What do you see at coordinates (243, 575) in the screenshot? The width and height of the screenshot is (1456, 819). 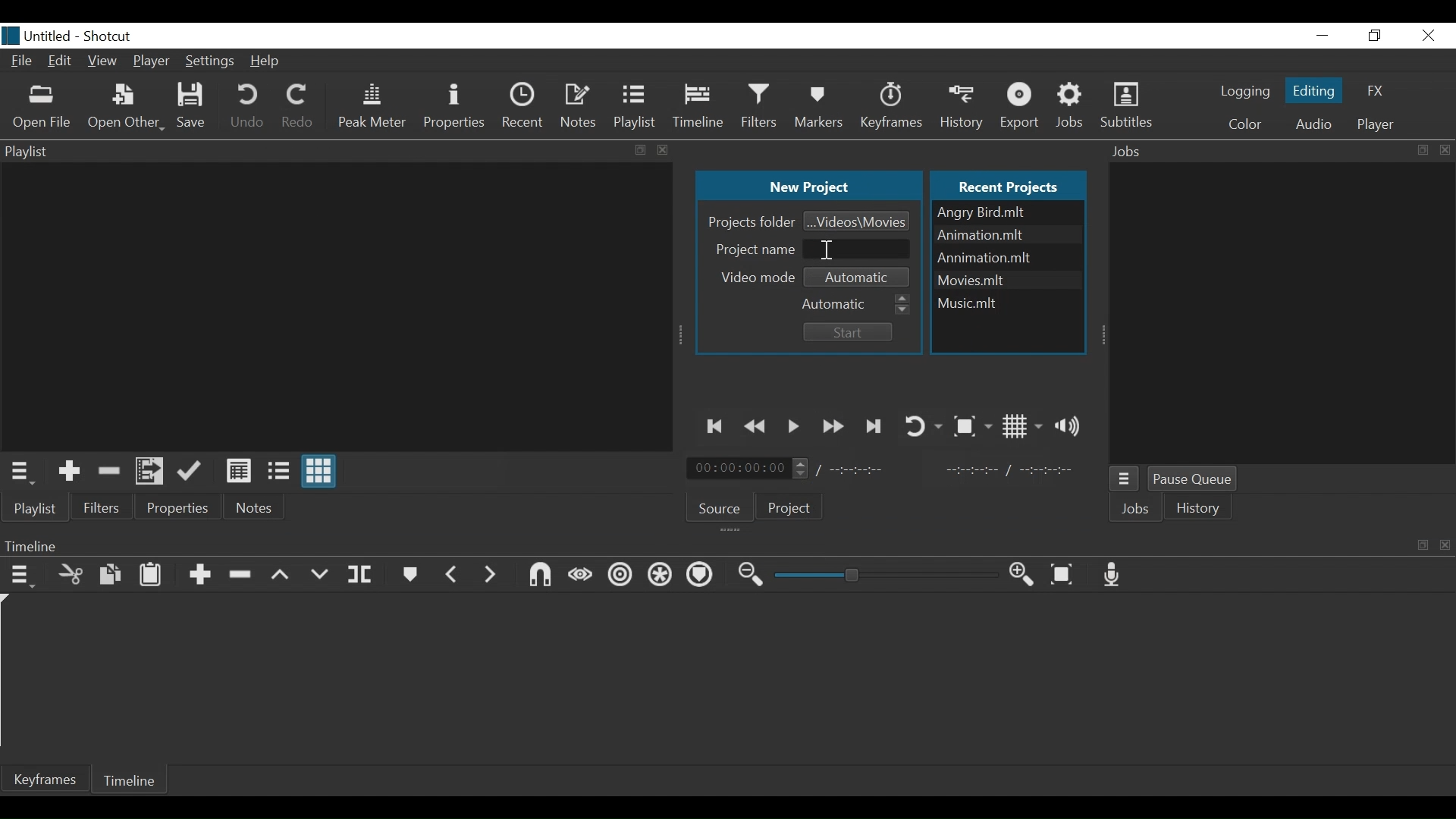 I see `Ripple delete` at bounding box center [243, 575].